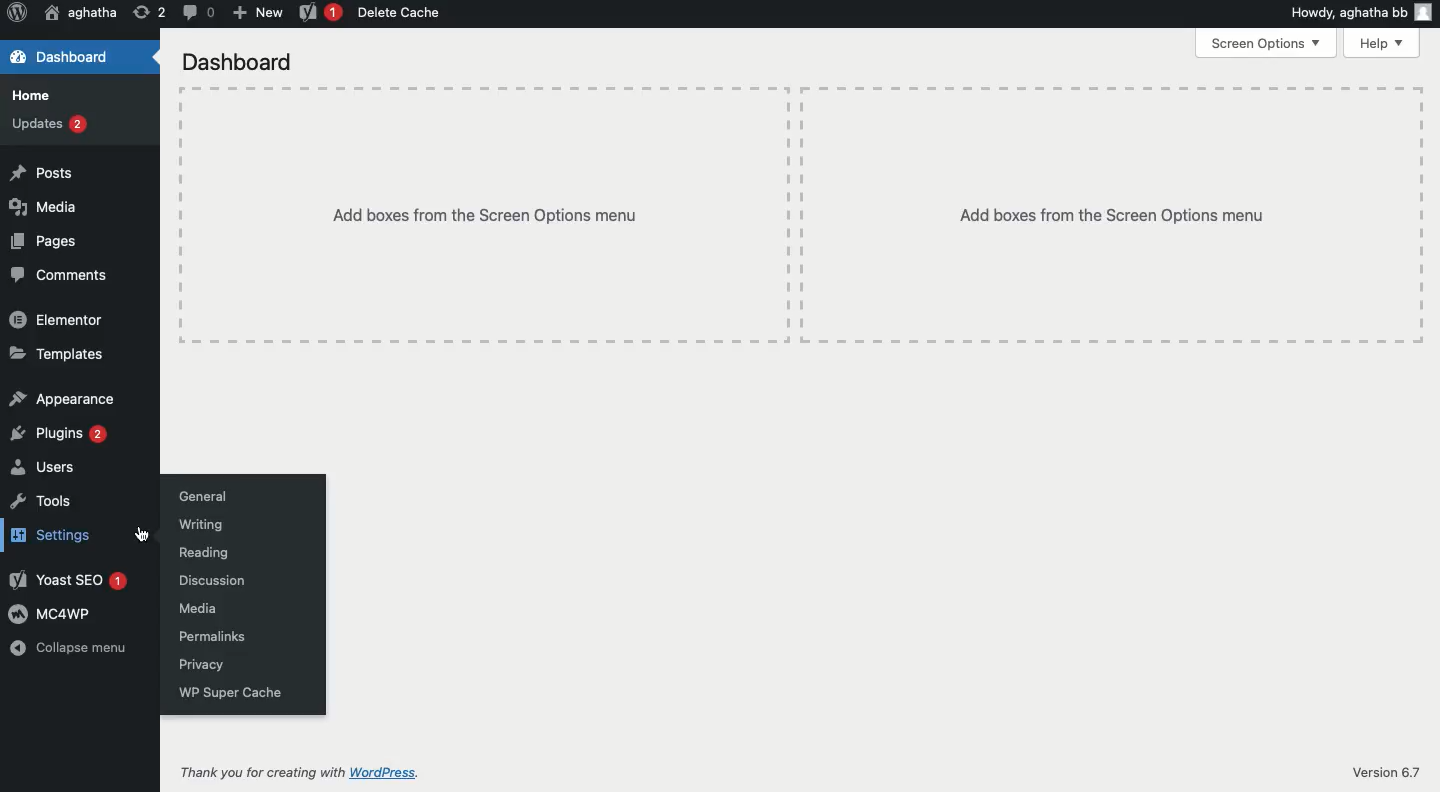 This screenshot has height=792, width=1440. I want to click on Settings, so click(47, 536).